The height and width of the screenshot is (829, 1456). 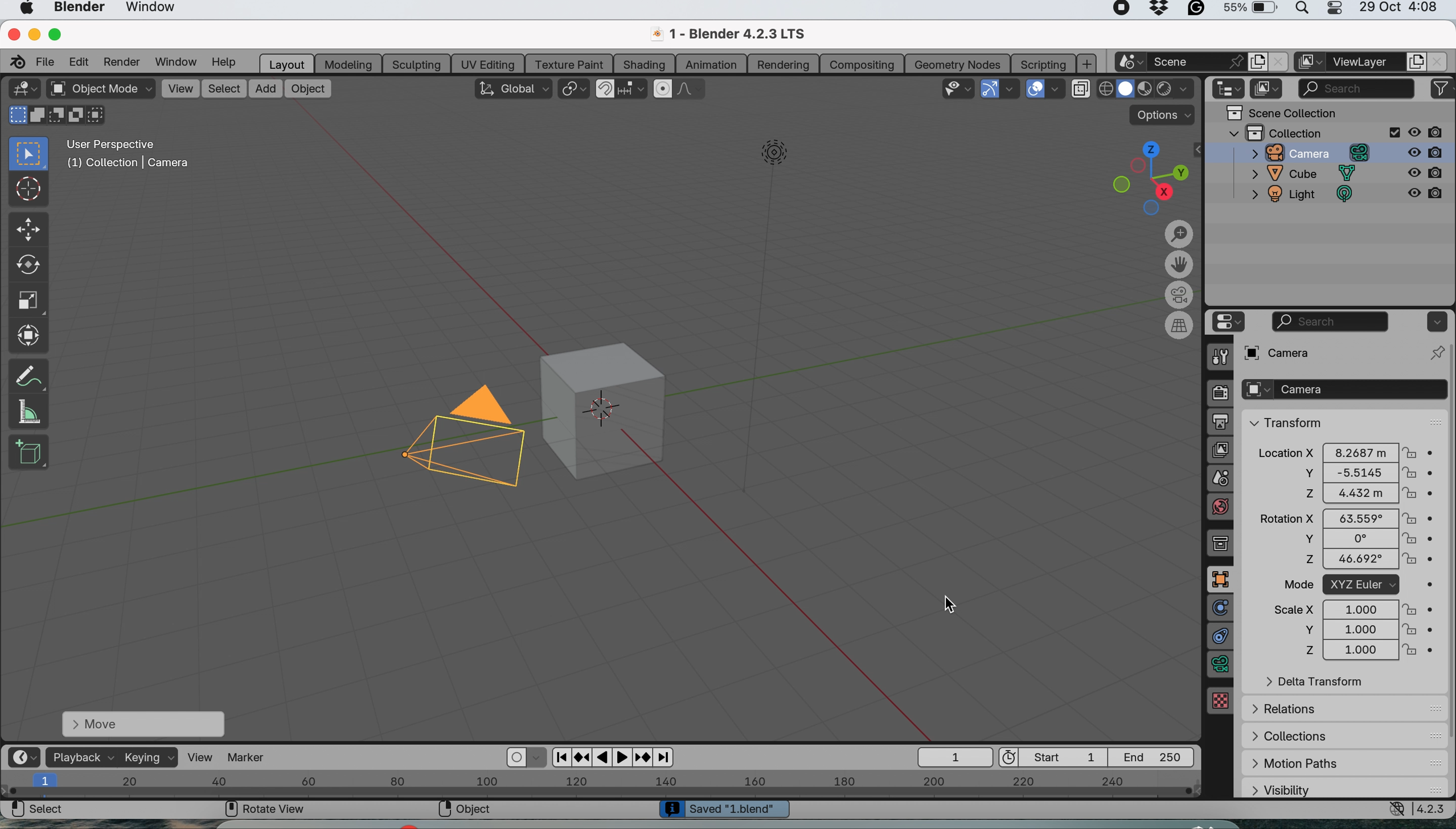 I want to click on shading, so click(x=644, y=64).